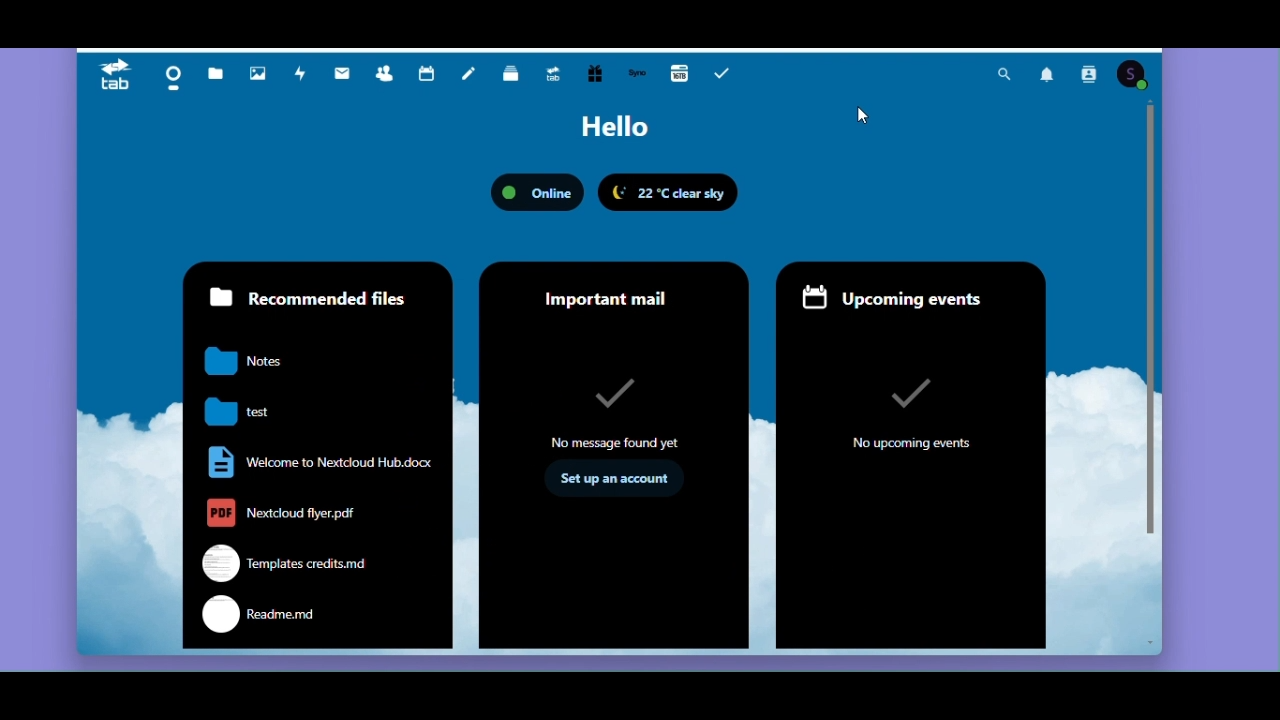 The height and width of the screenshot is (720, 1280). Describe the element at coordinates (594, 75) in the screenshot. I see `Free trial` at that location.